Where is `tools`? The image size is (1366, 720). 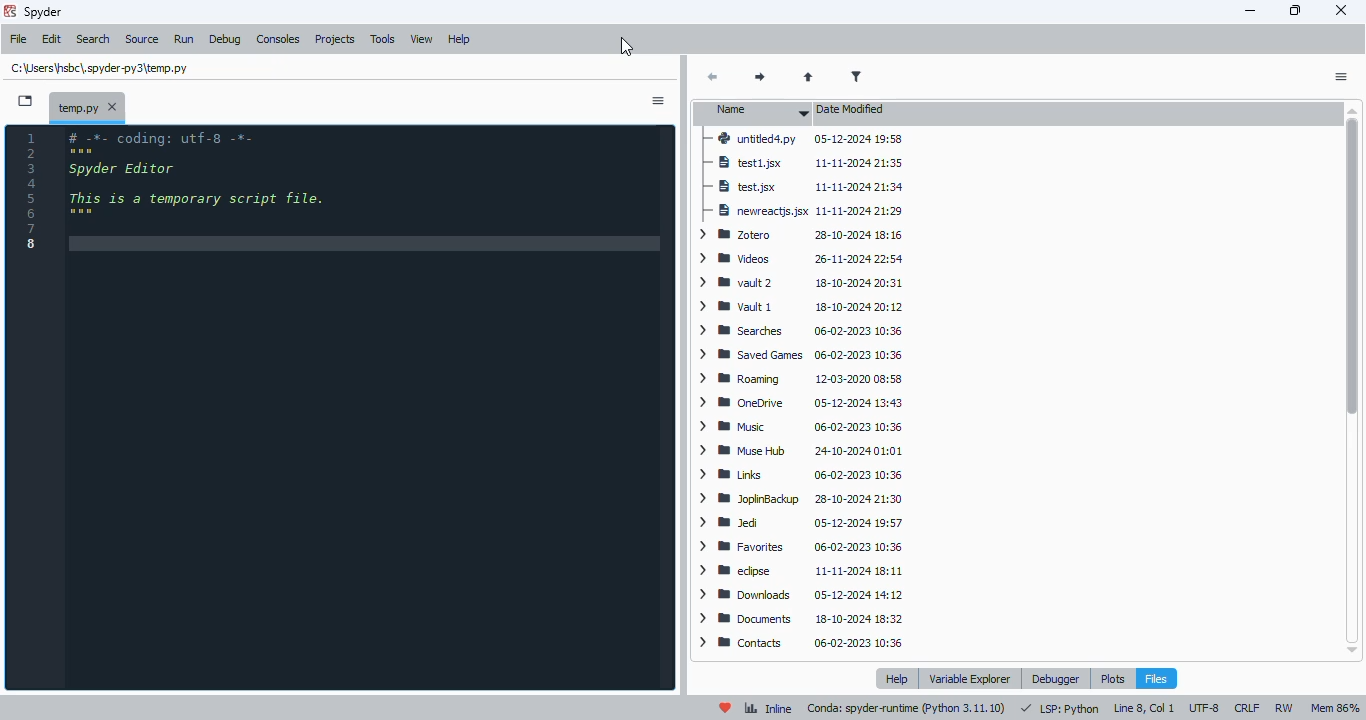
tools is located at coordinates (383, 39).